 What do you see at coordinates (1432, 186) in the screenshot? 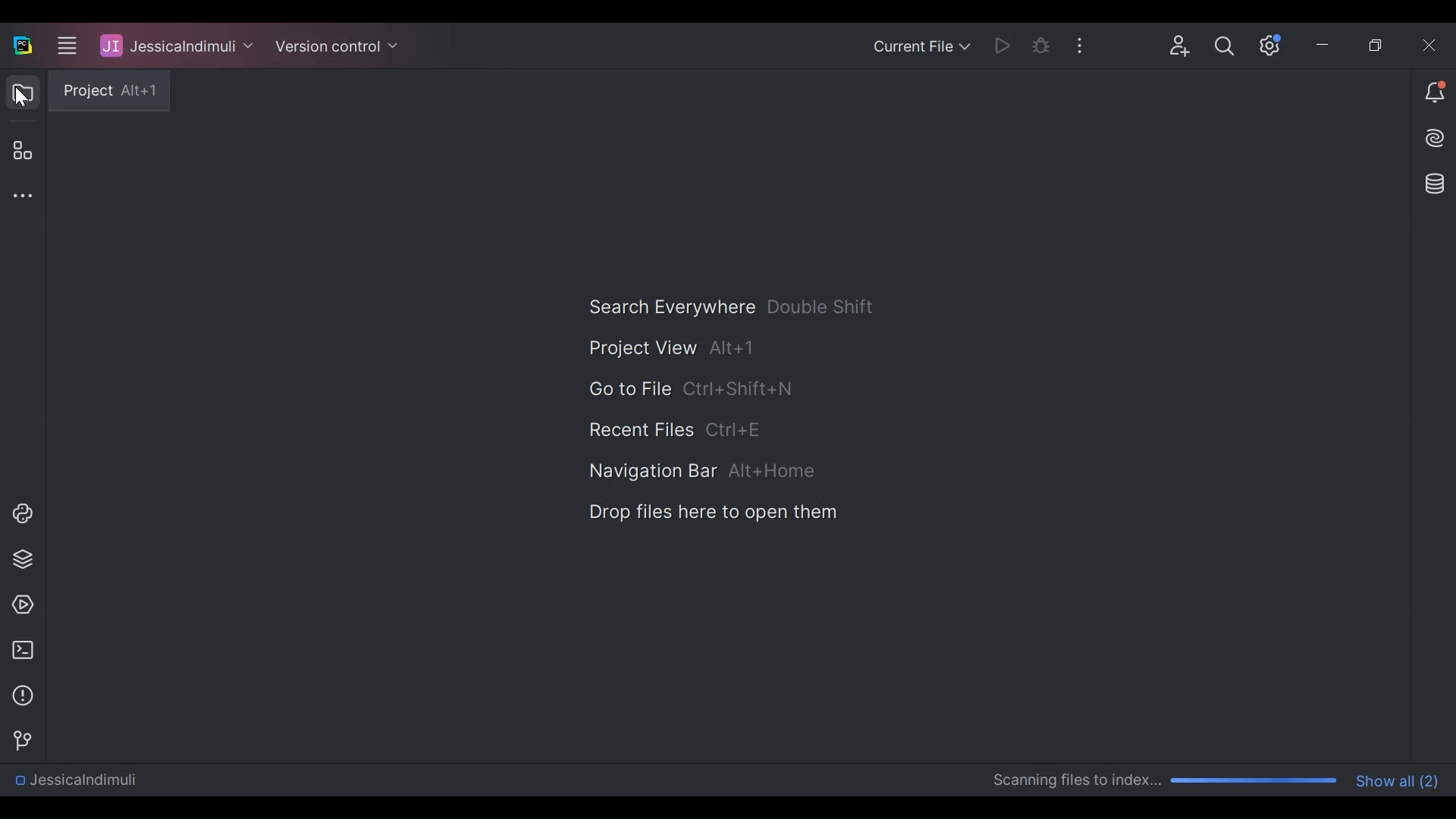
I see `Database` at bounding box center [1432, 186].